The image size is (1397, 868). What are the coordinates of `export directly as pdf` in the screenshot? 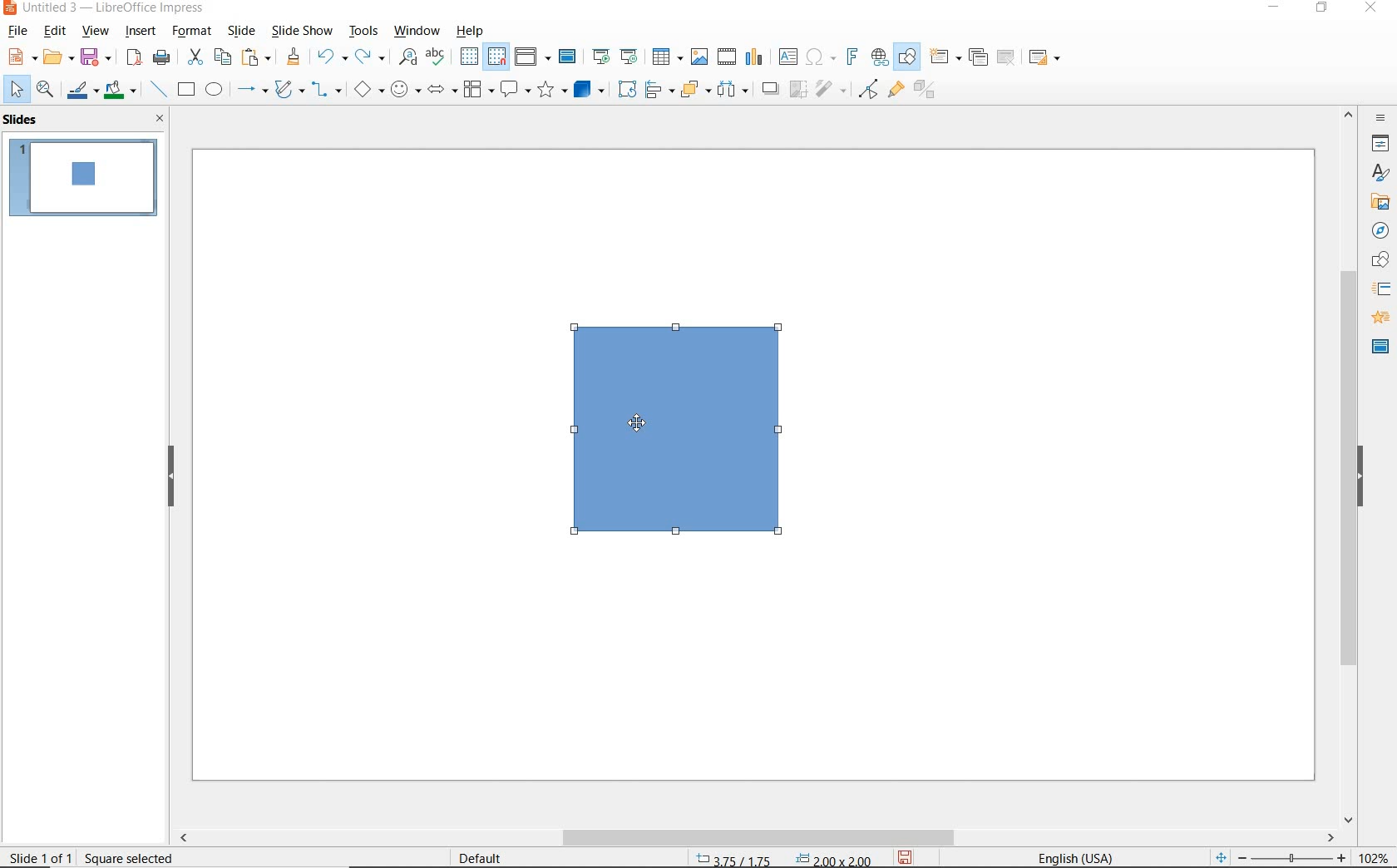 It's located at (135, 58).